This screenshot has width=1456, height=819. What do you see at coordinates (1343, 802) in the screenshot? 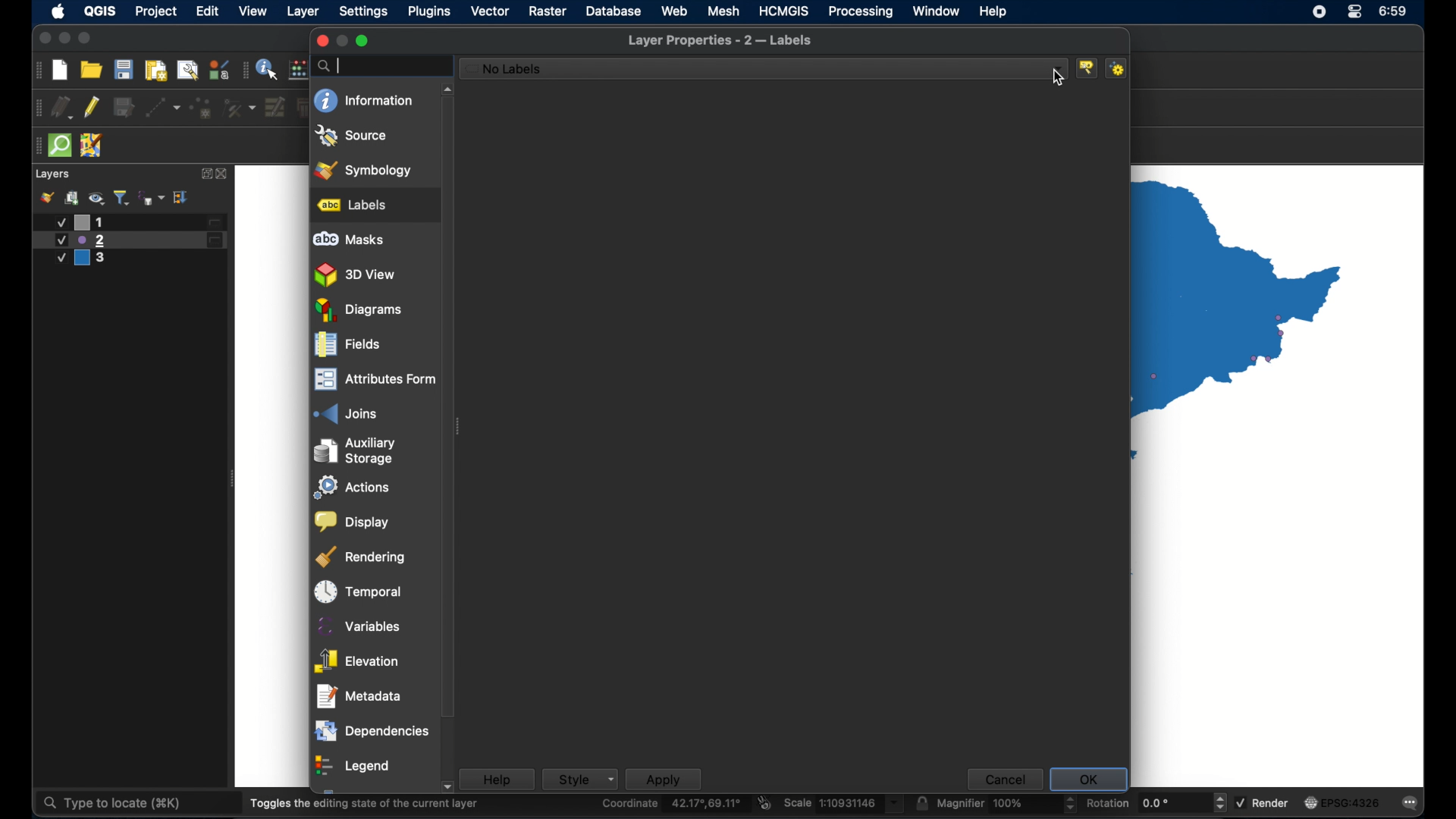
I see `current crs` at bounding box center [1343, 802].